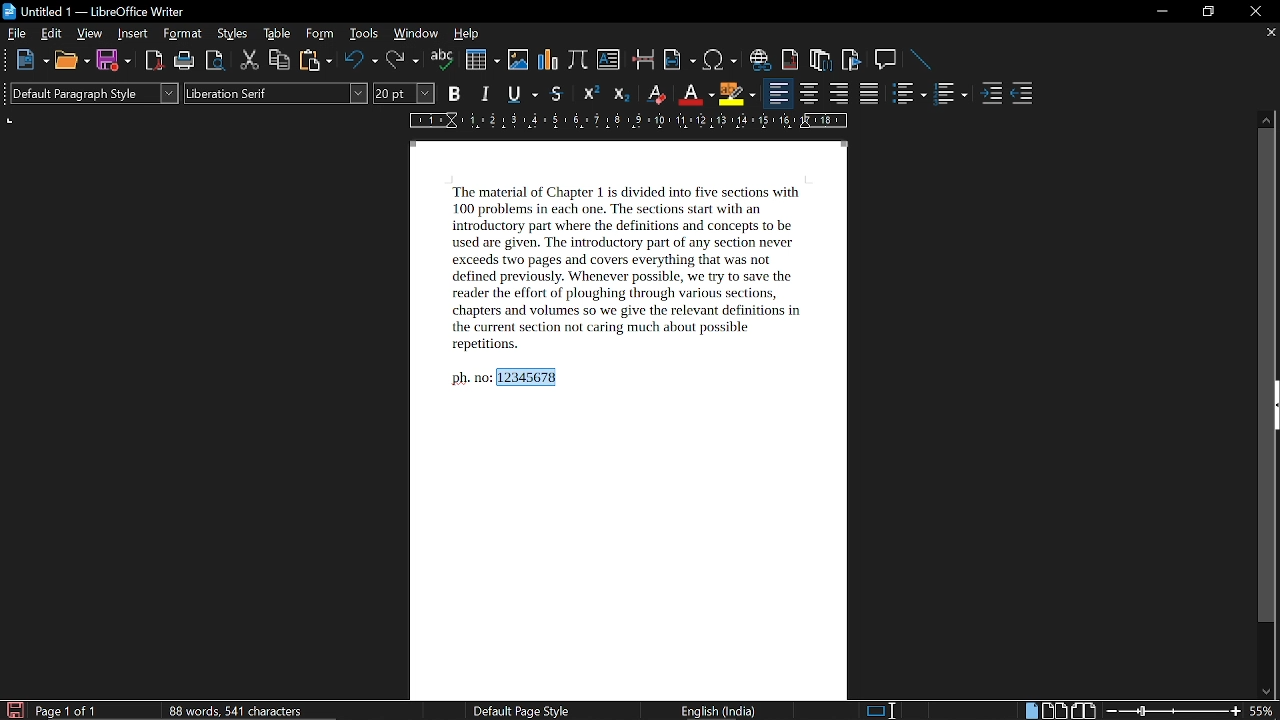 Image resolution: width=1280 pixels, height=720 pixels. I want to click on close, so click(1257, 11).